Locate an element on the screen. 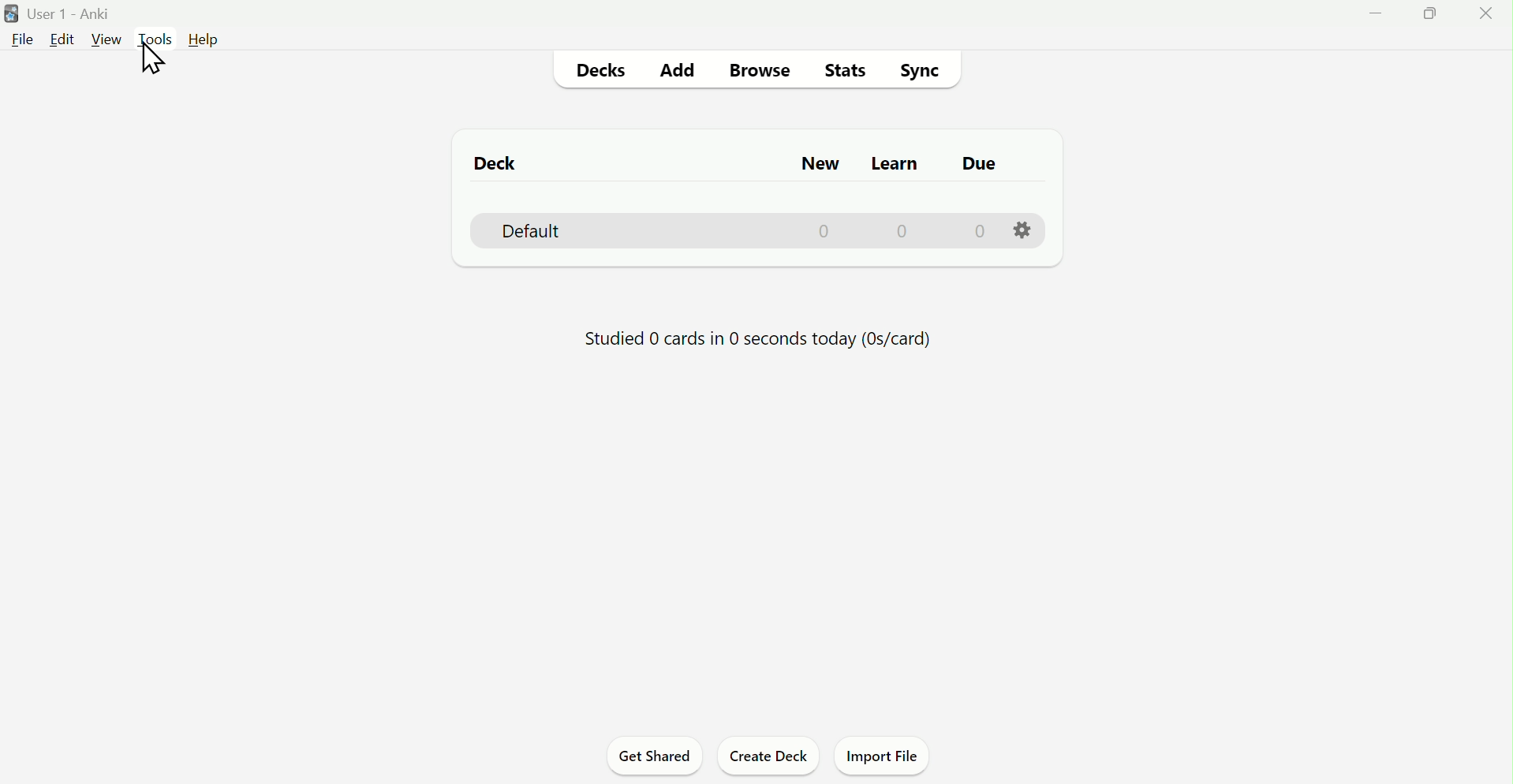 Image resolution: width=1513 pixels, height=784 pixels. Maximise is located at coordinates (1423, 20).